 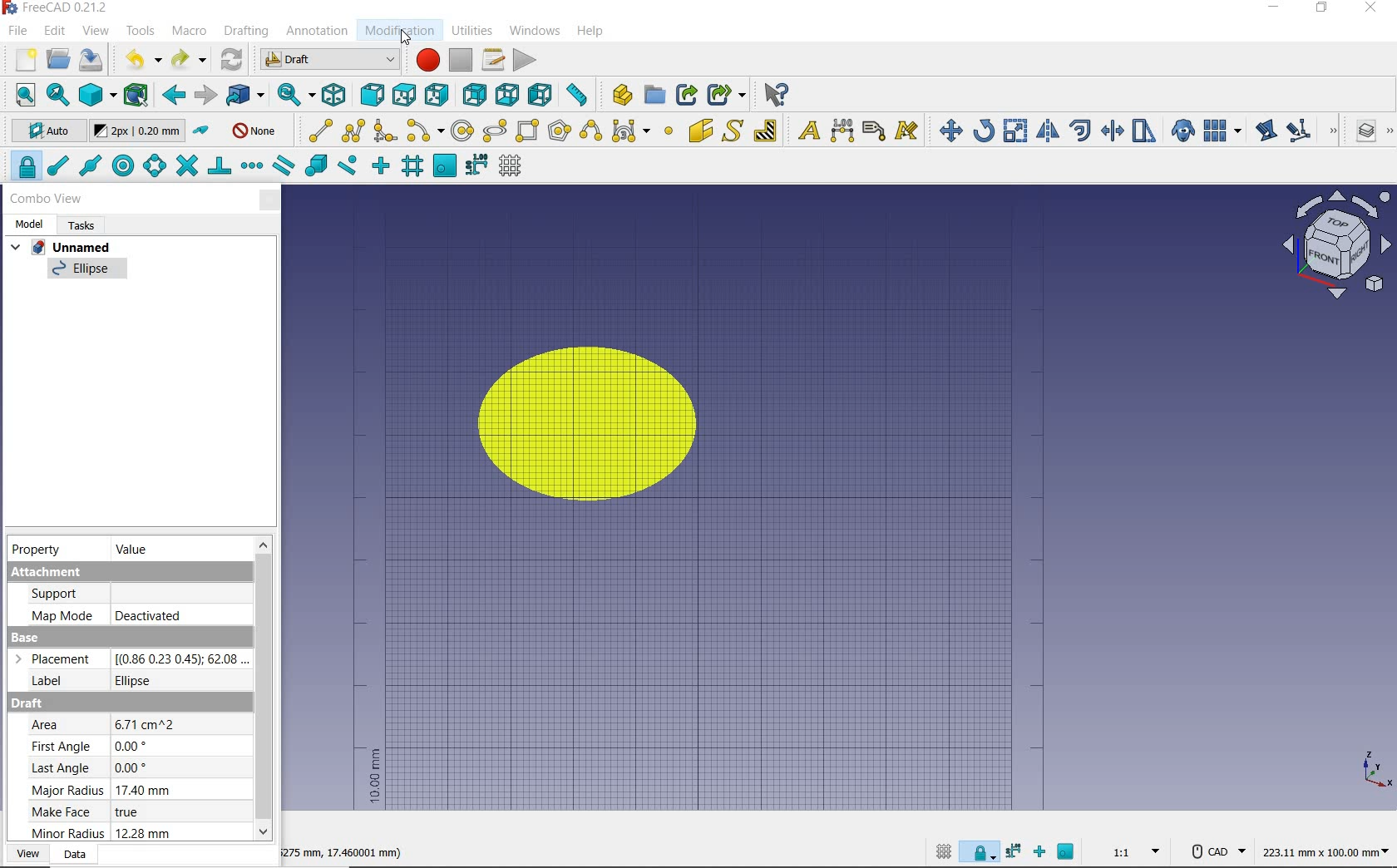 What do you see at coordinates (350, 168) in the screenshot?
I see `snap near` at bounding box center [350, 168].